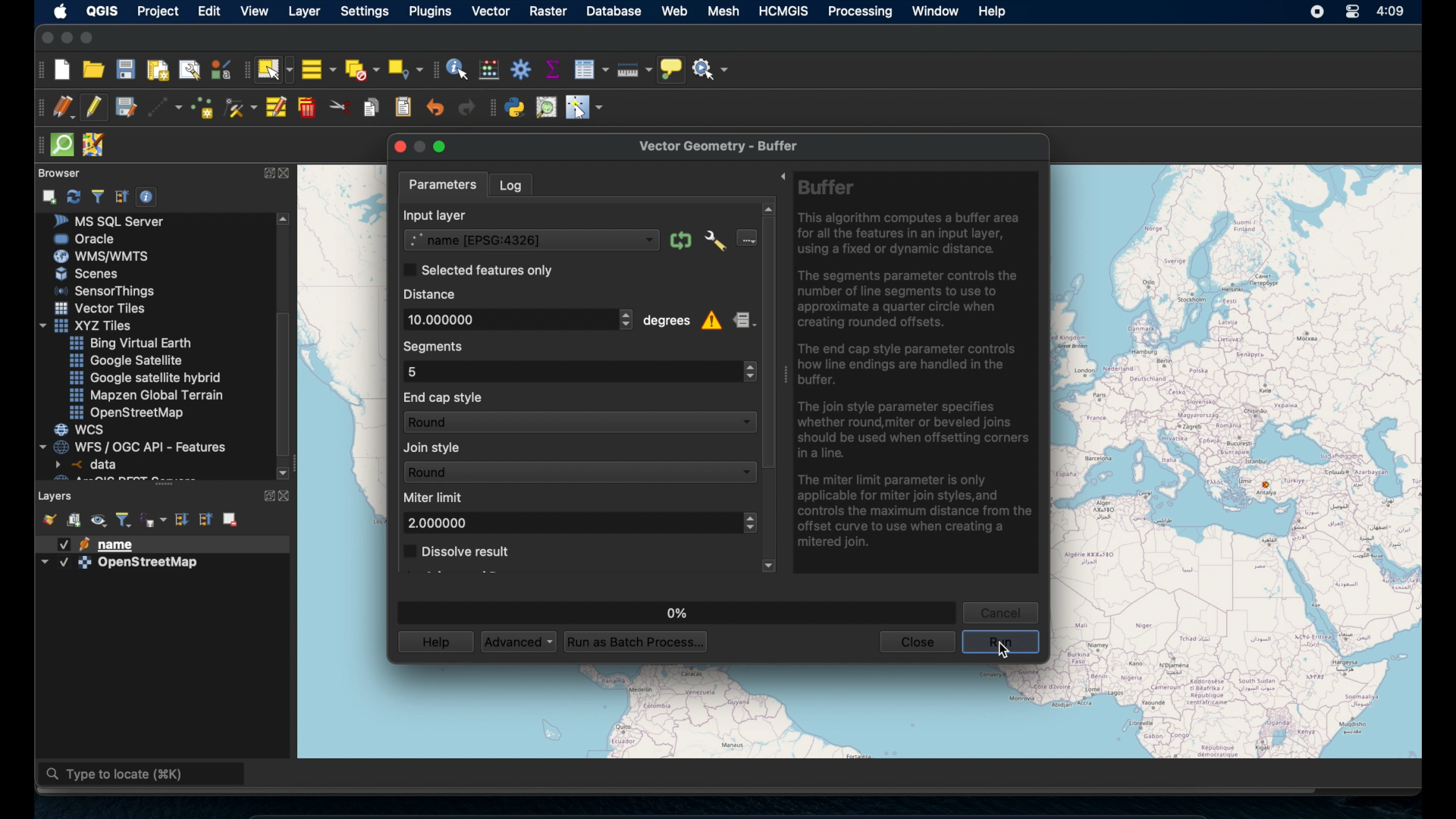 The image size is (1456, 819). I want to click on segments, so click(438, 347).